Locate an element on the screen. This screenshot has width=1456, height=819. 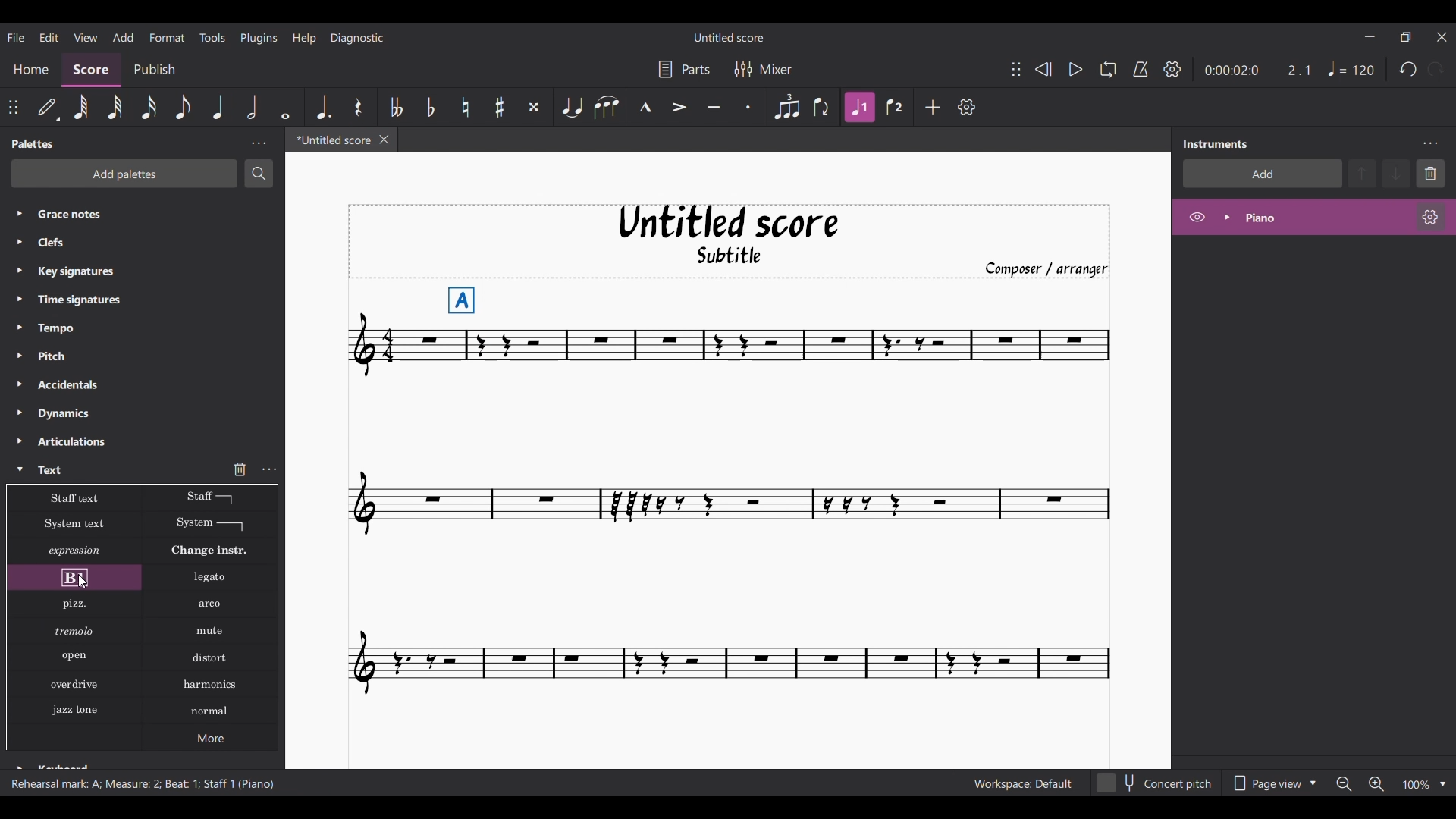
Help menu is located at coordinates (305, 37).